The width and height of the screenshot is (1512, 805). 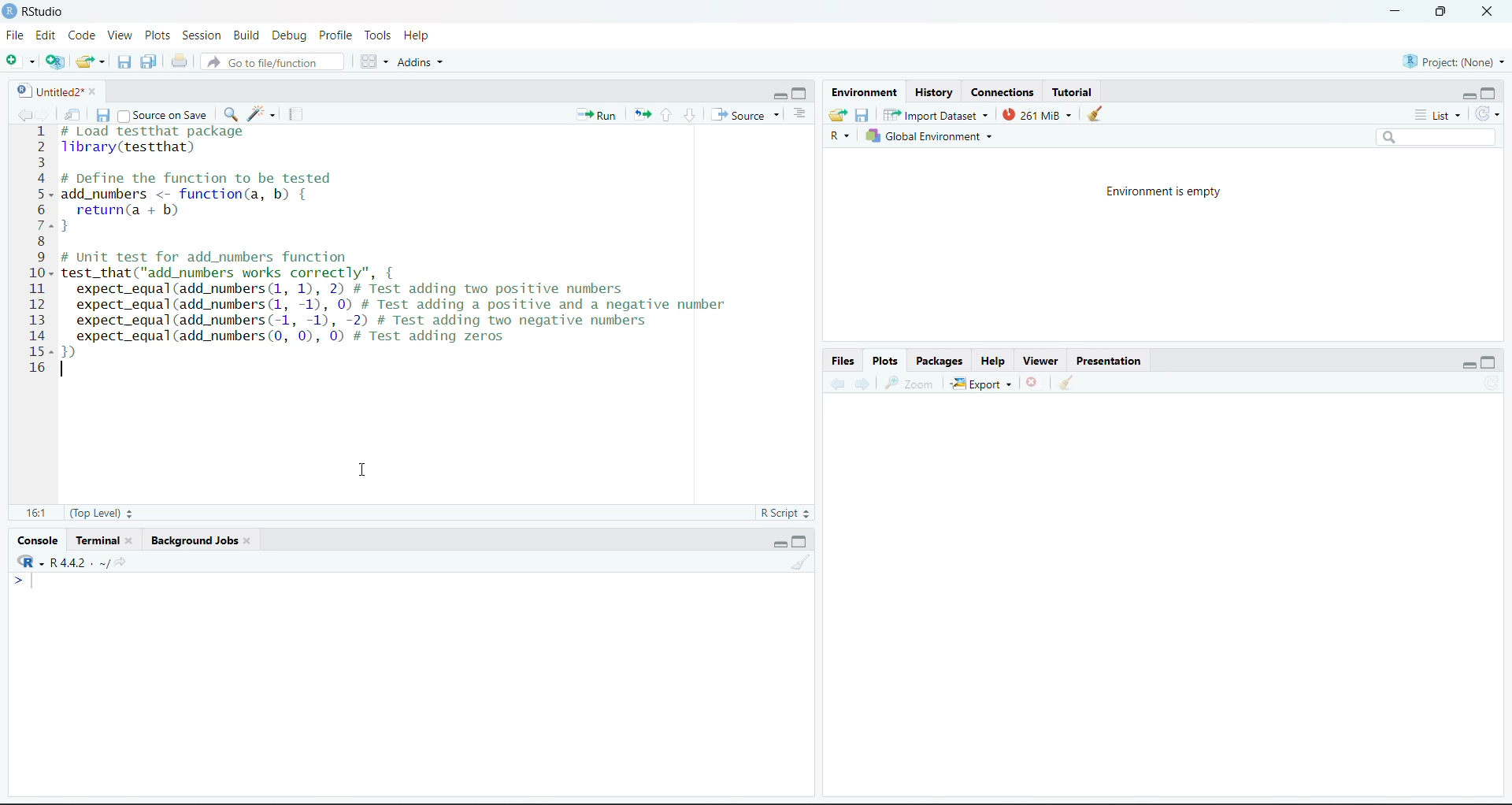 I want to click on minimize, so click(x=779, y=543).